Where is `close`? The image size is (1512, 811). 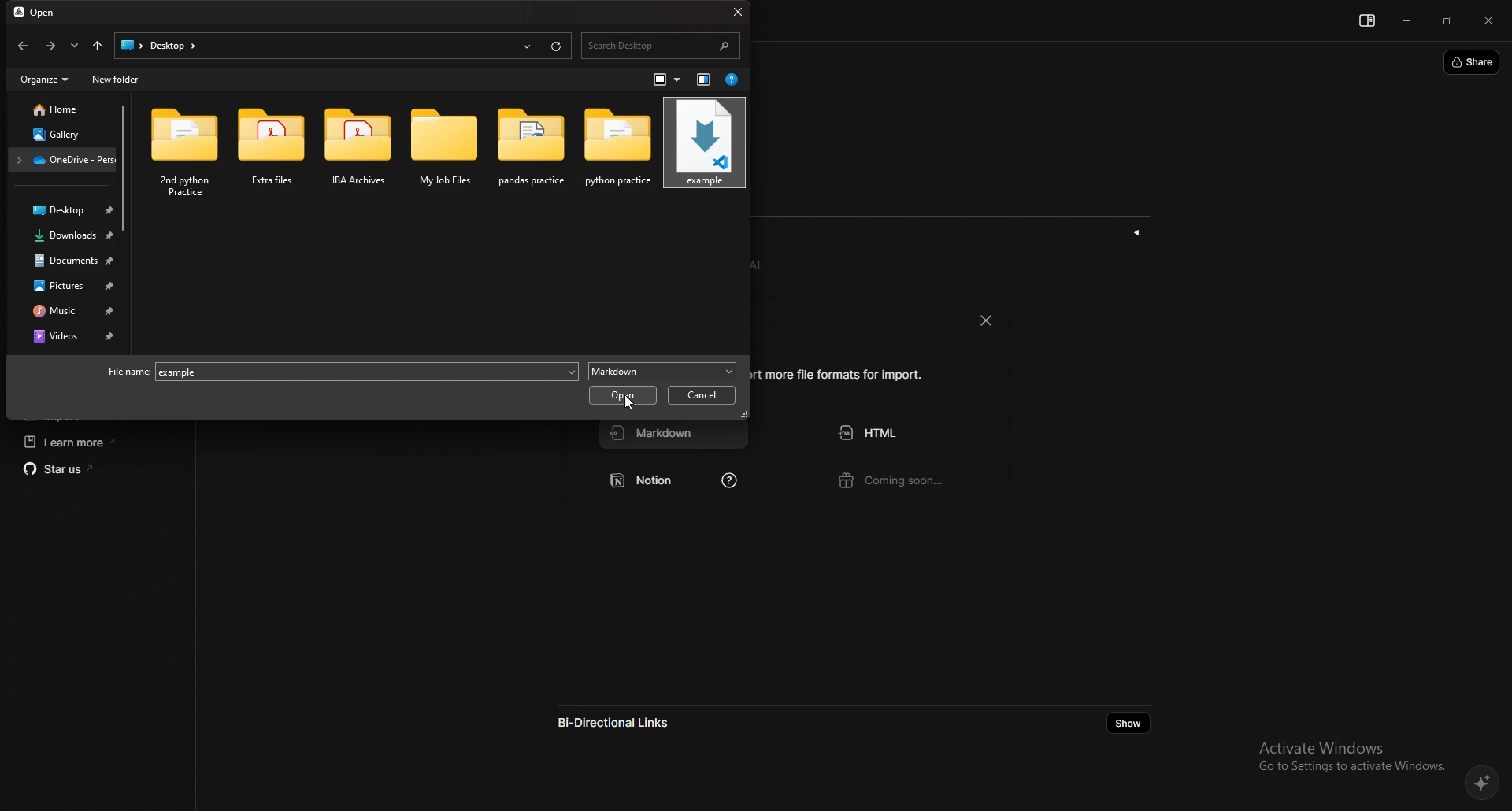
close is located at coordinates (732, 12).